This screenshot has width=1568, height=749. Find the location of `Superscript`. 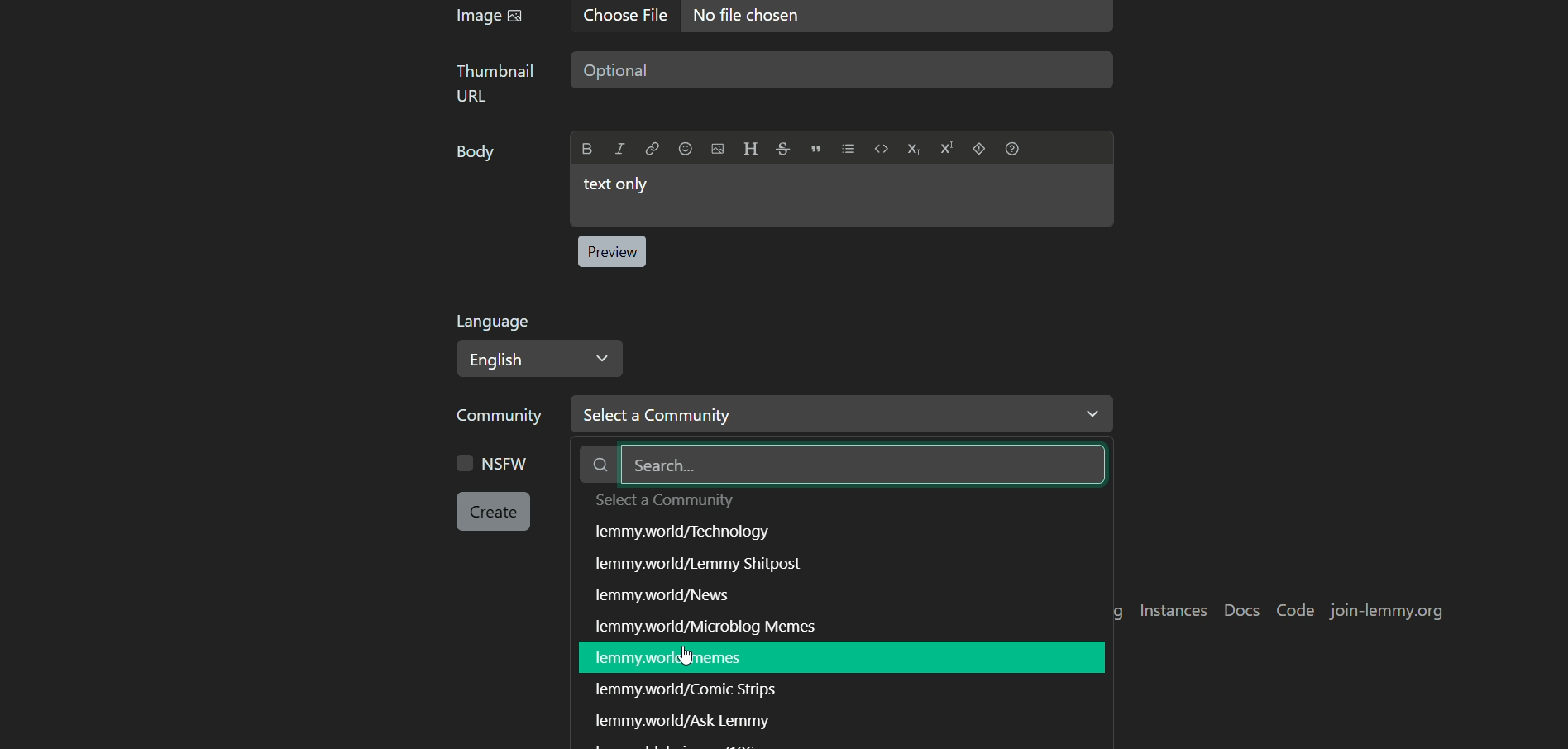

Superscript is located at coordinates (948, 147).